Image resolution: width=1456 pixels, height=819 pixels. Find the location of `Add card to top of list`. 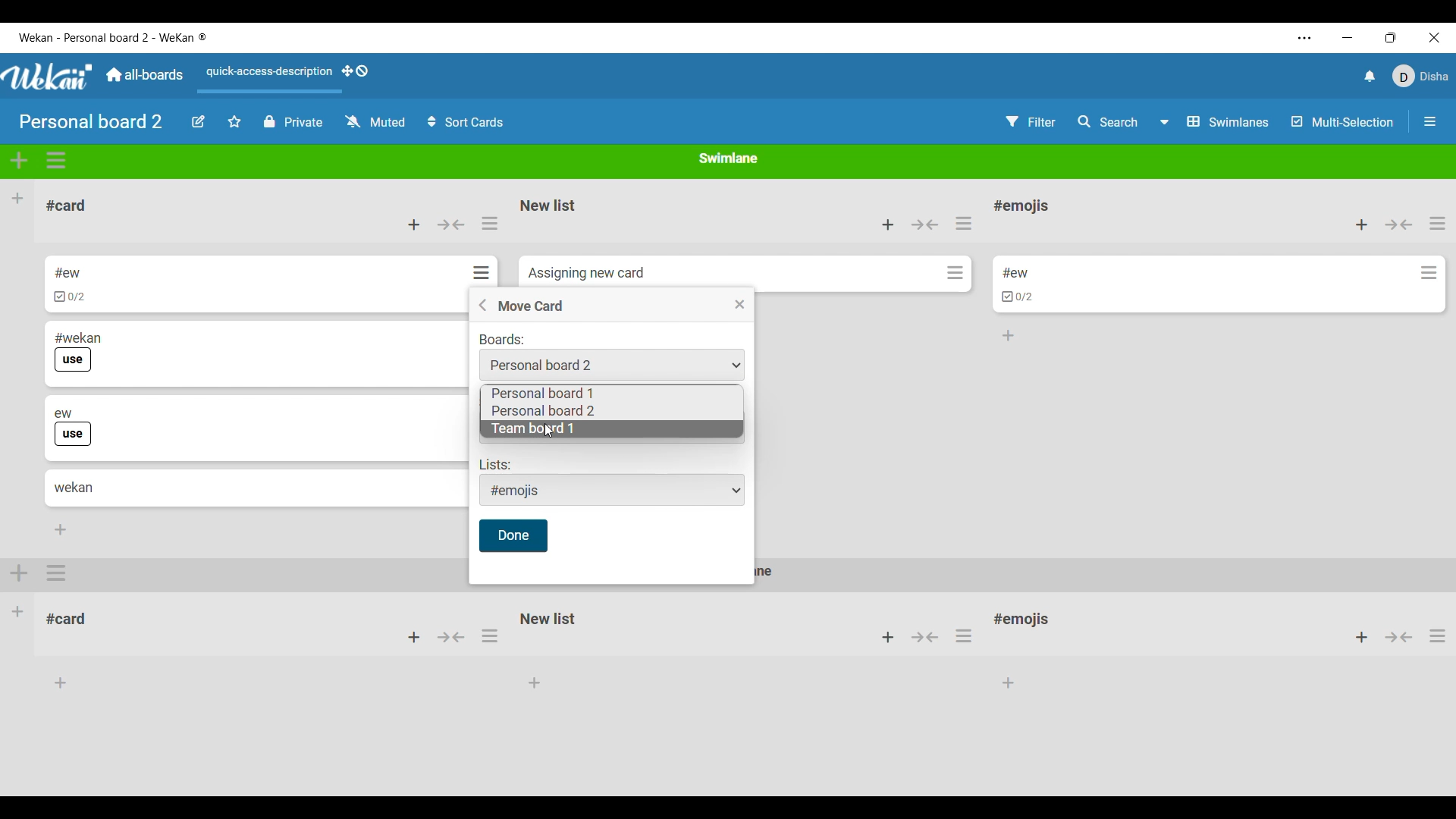

Add card to top of list is located at coordinates (888, 224).